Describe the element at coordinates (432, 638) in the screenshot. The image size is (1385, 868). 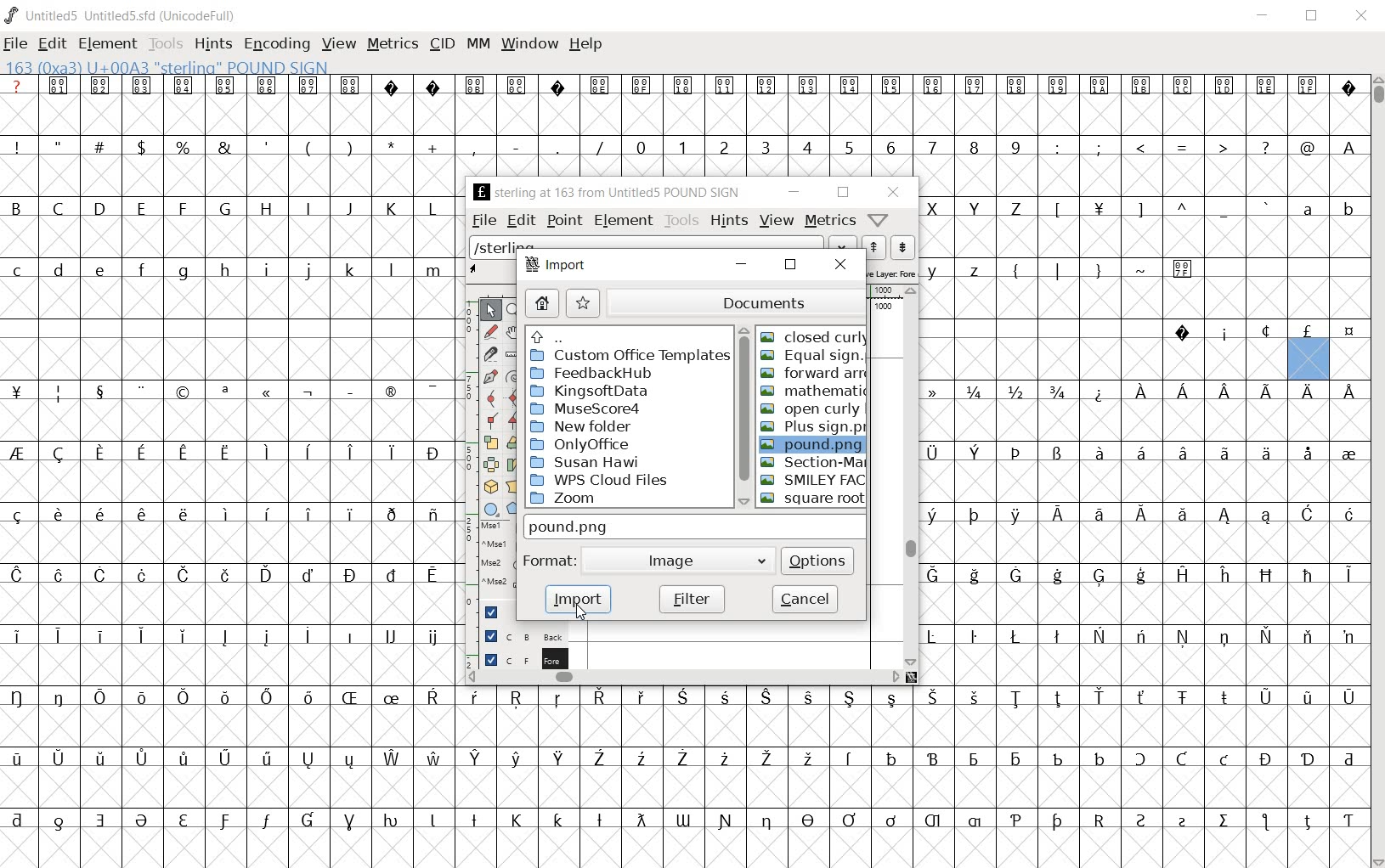
I see `Symbol` at that location.